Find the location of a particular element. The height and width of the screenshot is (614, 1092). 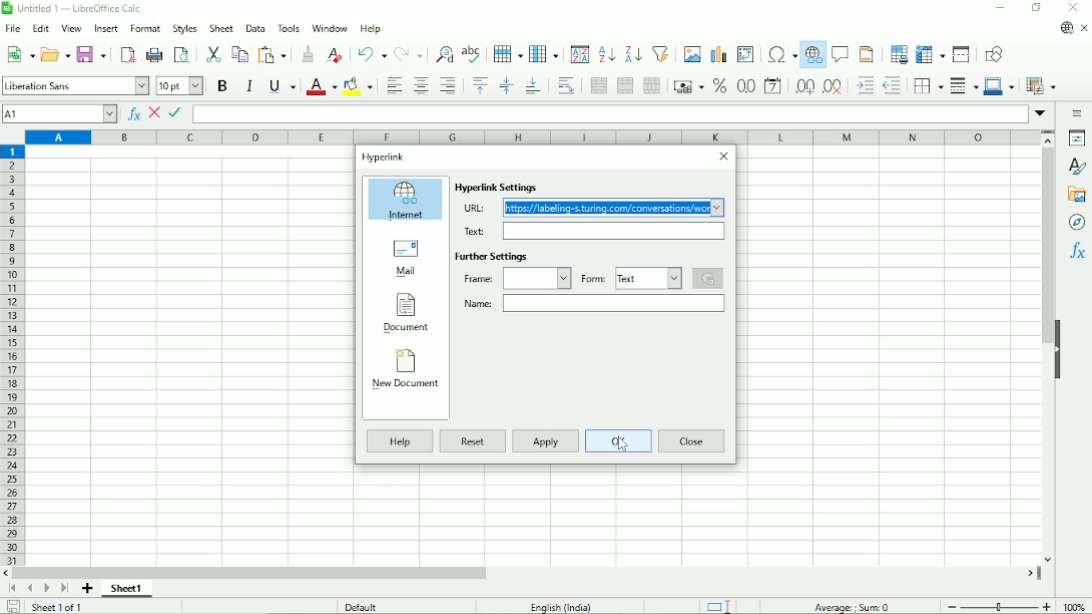

Help is located at coordinates (398, 441).